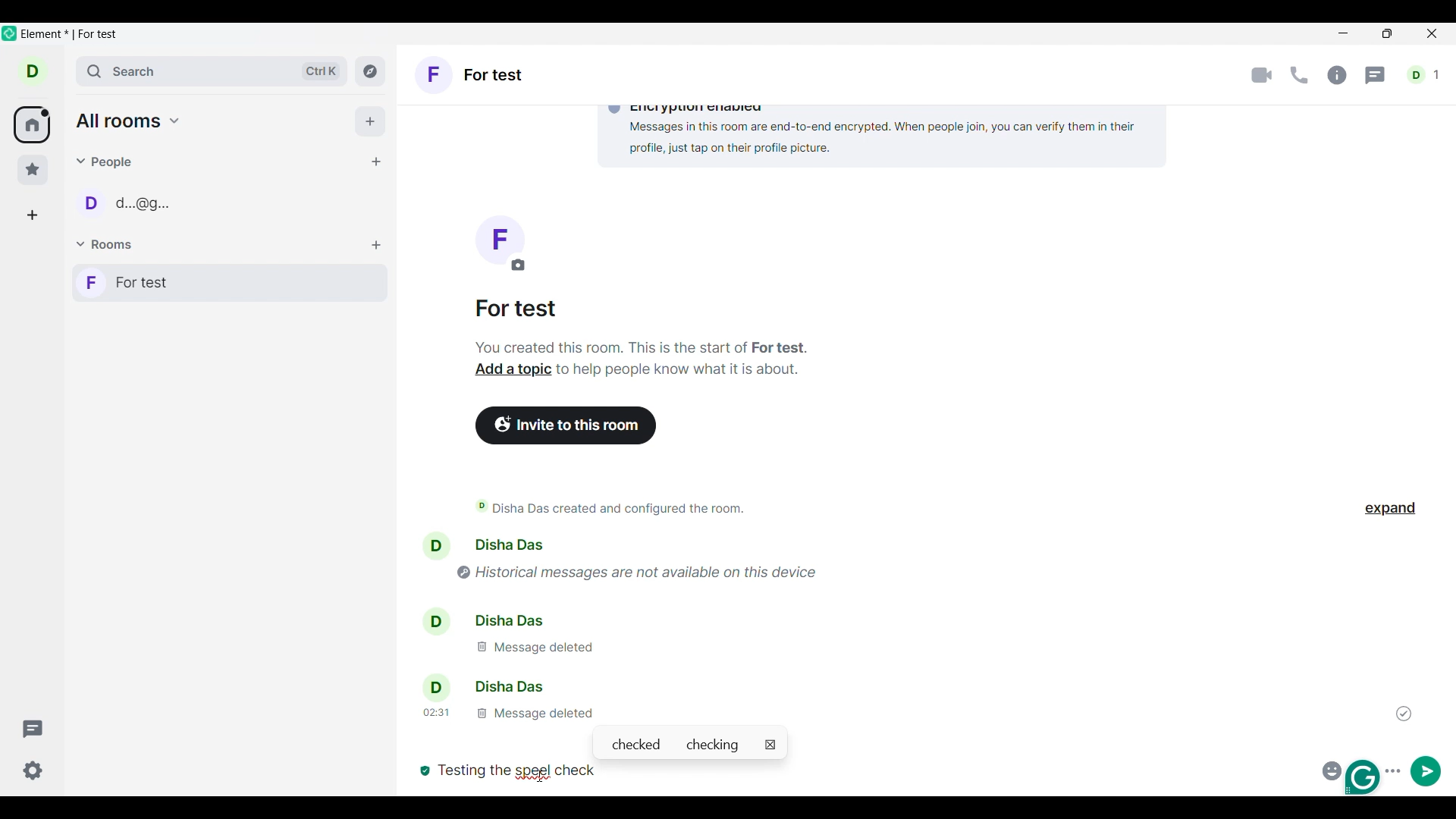 This screenshot has width=1456, height=819. What do you see at coordinates (770, 745) in the screenshot?
I see `close` at bounding box center [770, 745].